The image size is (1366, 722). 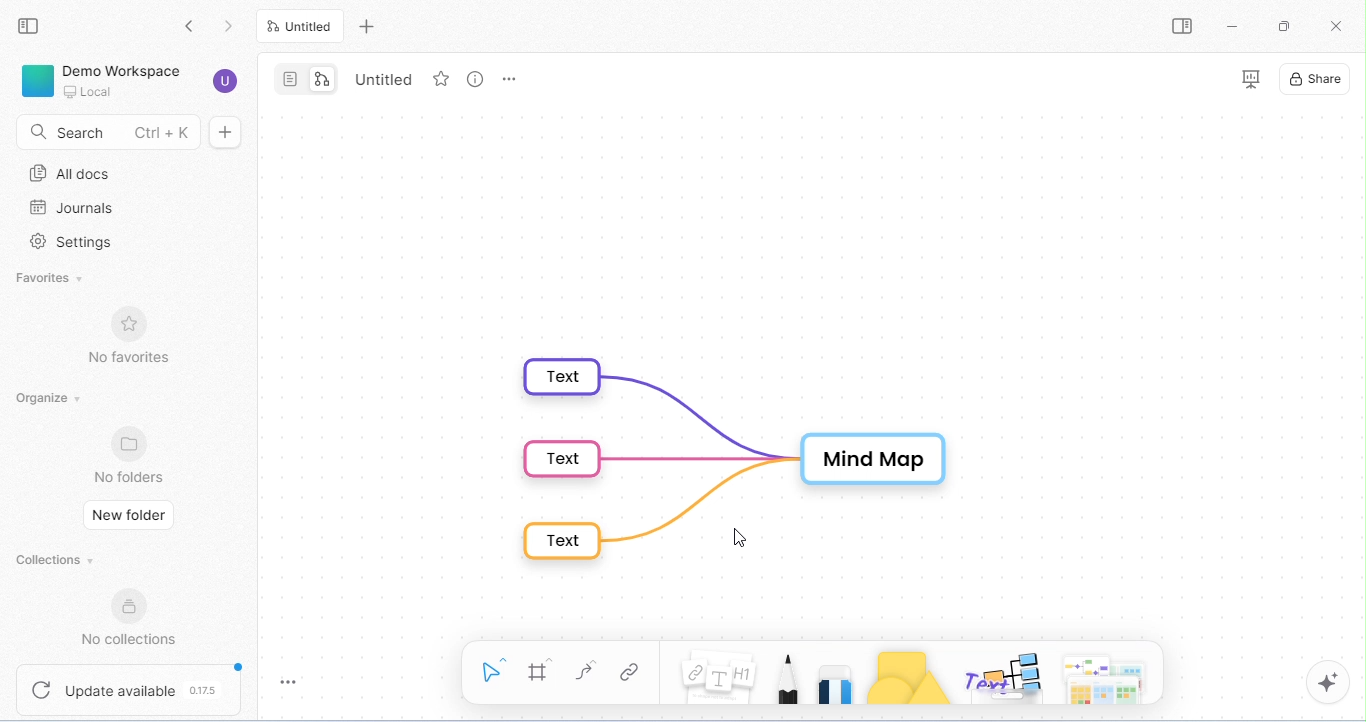 I want to click on open side bar, so click(x=1184, y=27).